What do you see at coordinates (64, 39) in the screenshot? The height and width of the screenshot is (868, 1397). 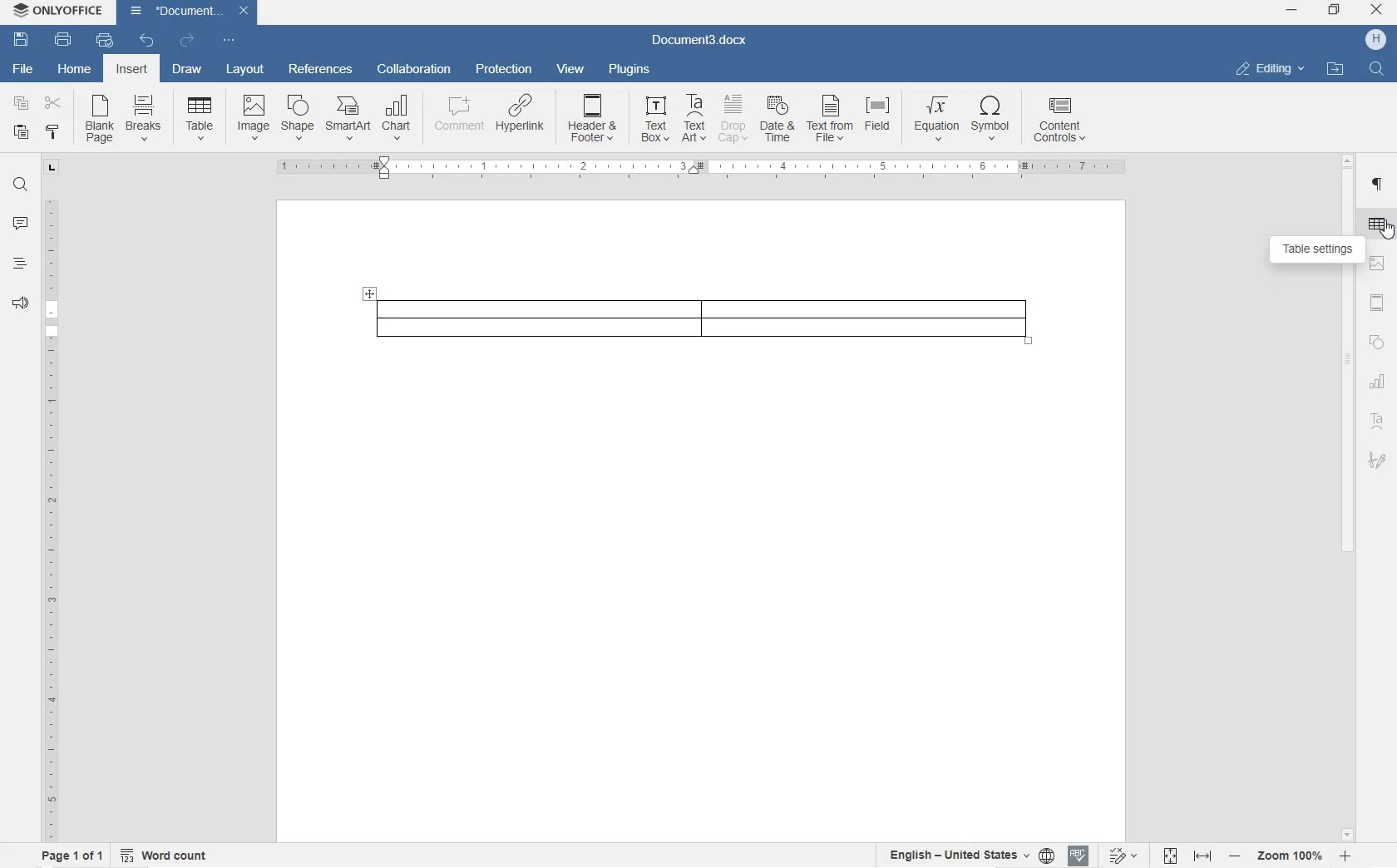 I see `PRINT` at bounding box center [64, 39].